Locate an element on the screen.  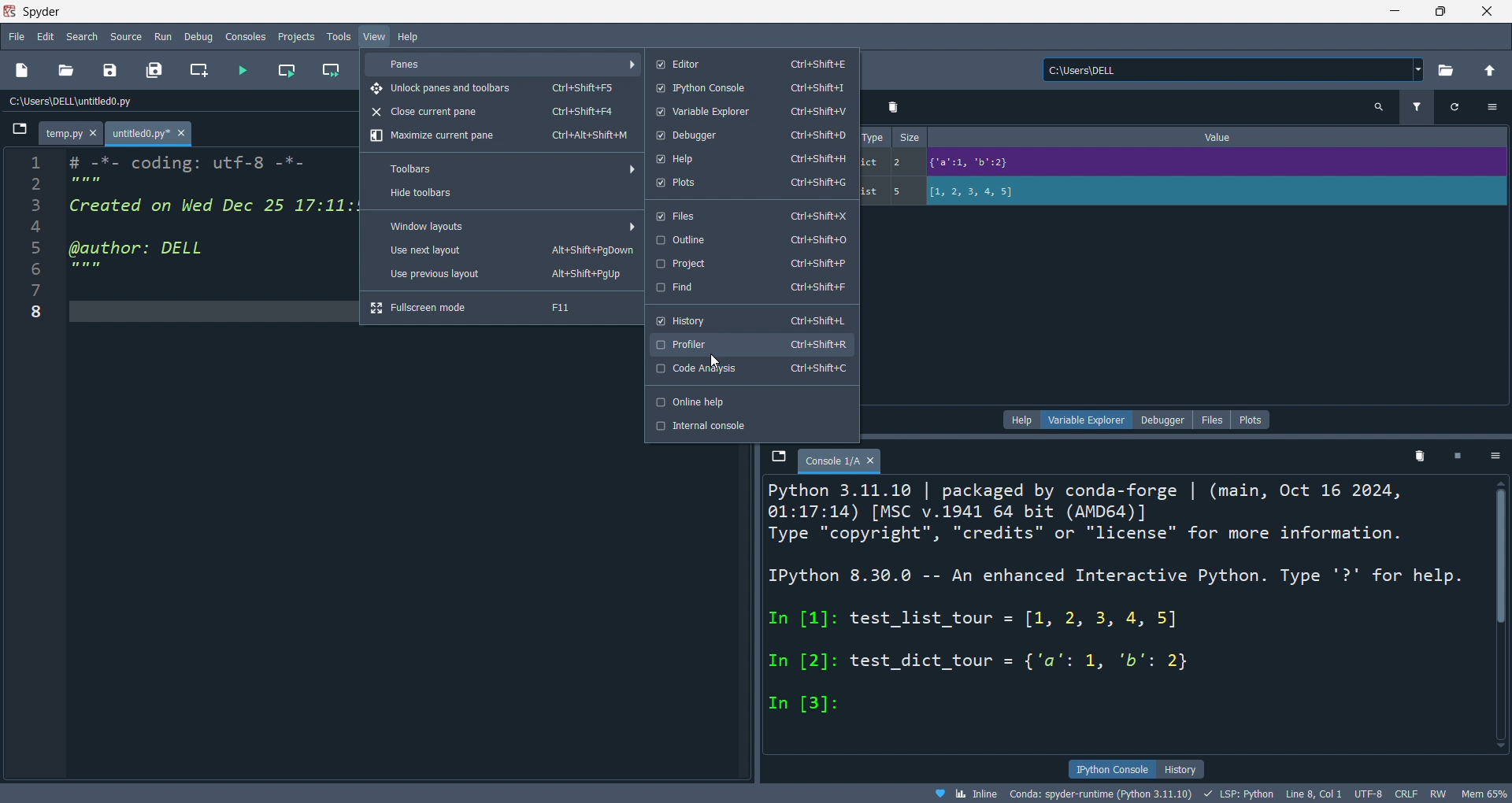
run cell is located at coordinates (286, 71).